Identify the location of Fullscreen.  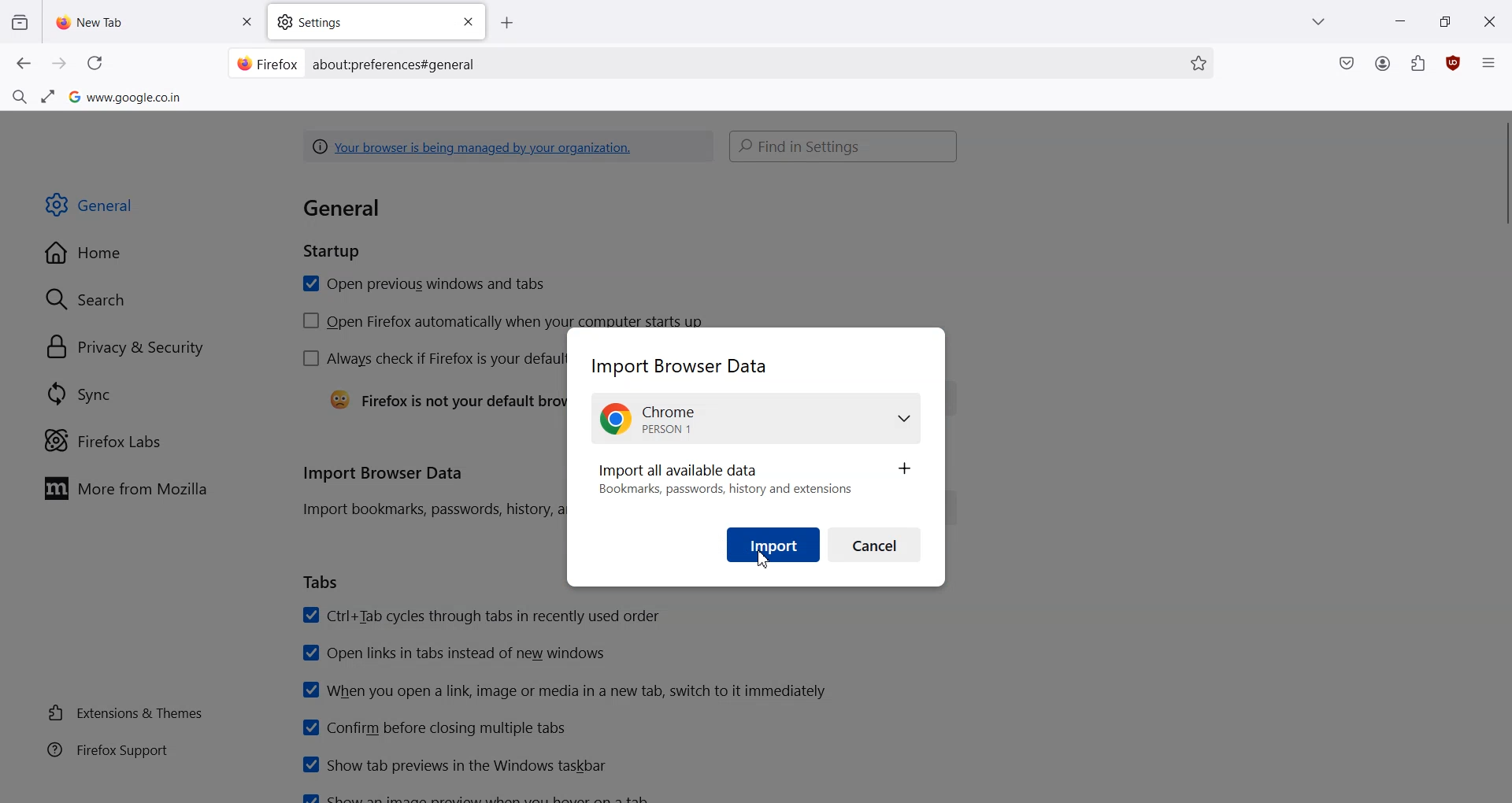
(48, 95).